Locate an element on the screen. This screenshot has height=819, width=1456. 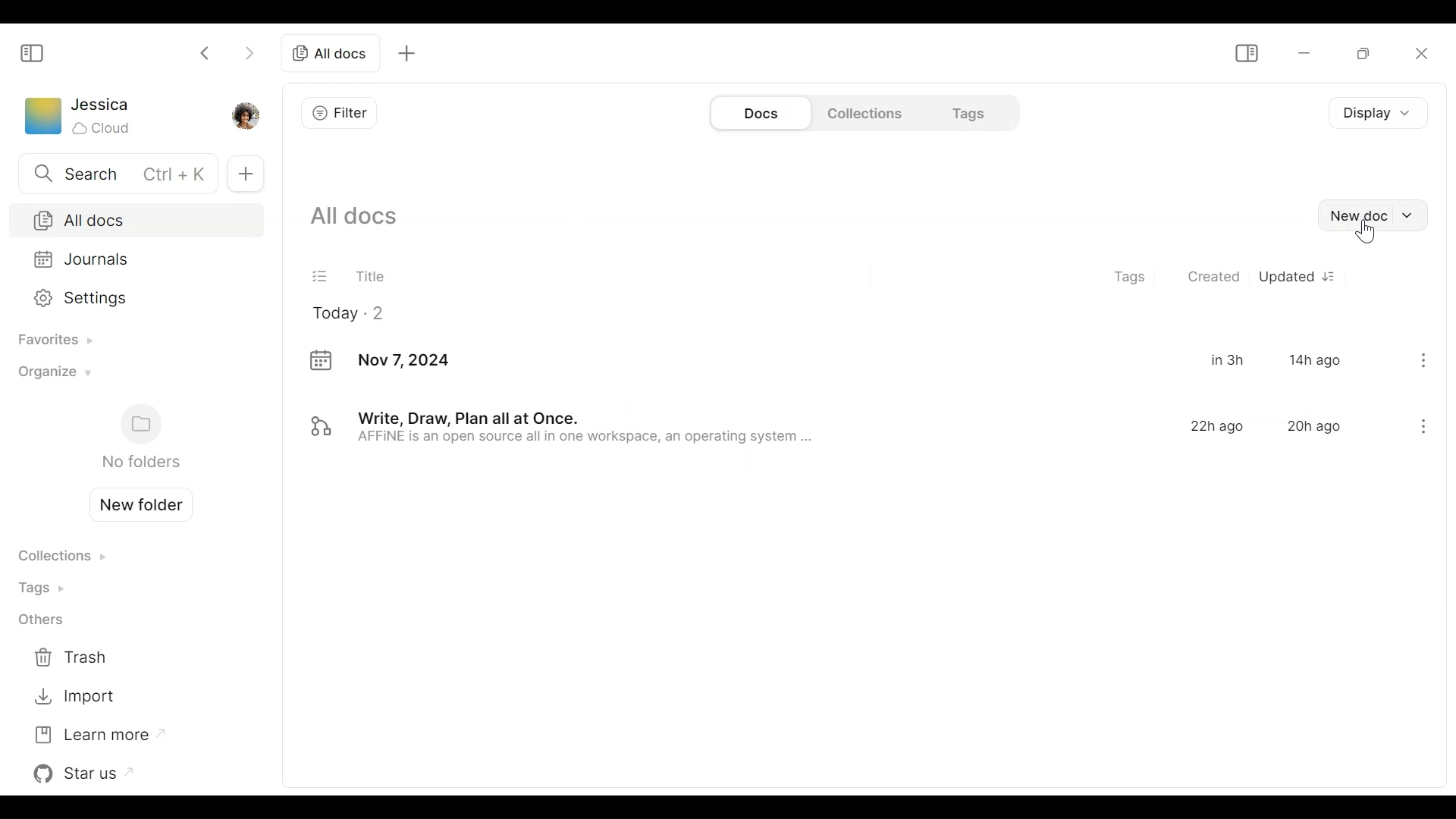
Filter is located at coordinates (336, 113).